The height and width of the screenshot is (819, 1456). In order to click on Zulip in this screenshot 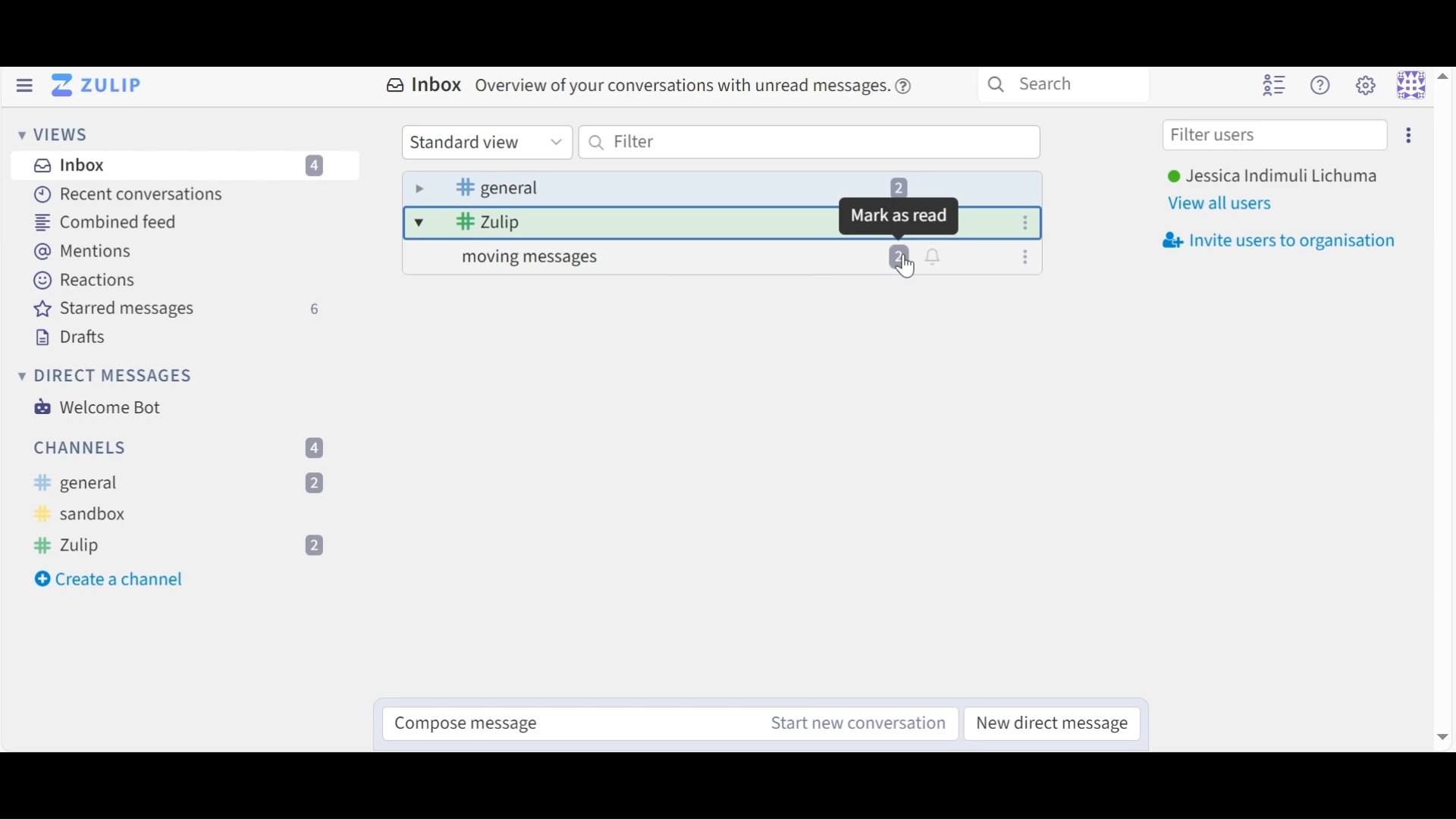, I will do `click(184, 545)`.